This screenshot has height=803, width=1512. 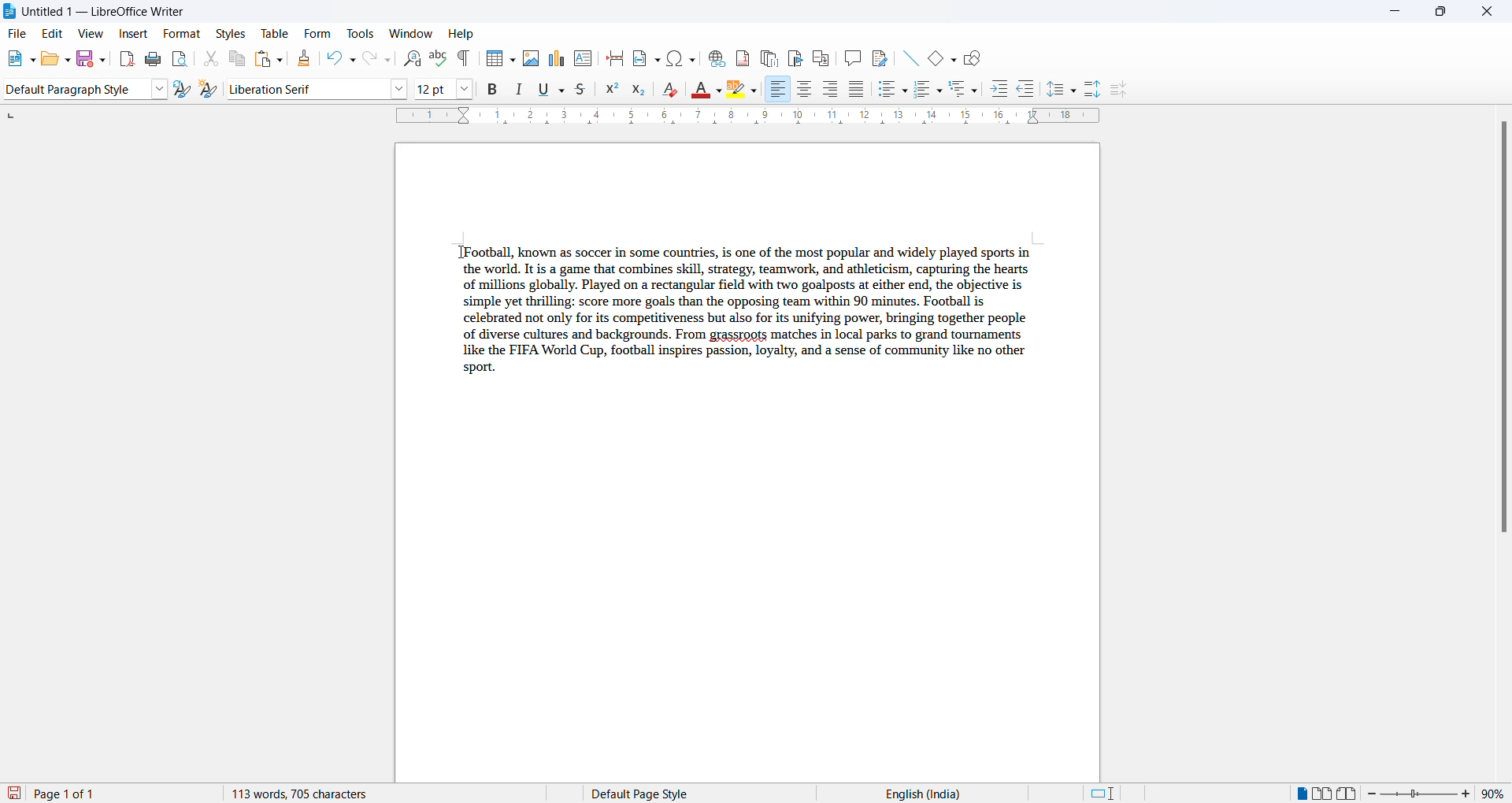 I want to click on font color options, so click(x=719, y=88).